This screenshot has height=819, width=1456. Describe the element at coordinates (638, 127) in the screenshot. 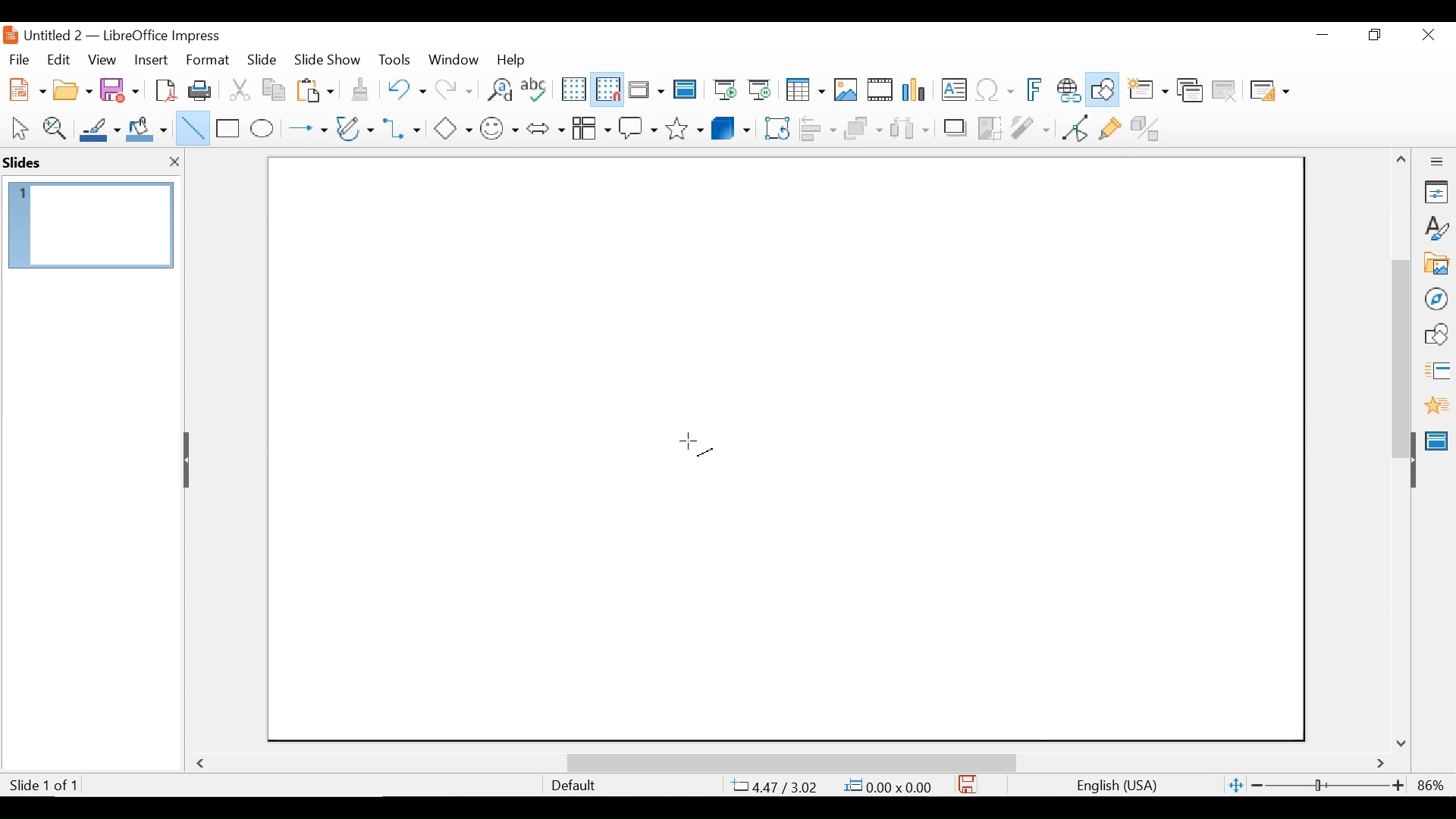

I see `Callout` at that location.